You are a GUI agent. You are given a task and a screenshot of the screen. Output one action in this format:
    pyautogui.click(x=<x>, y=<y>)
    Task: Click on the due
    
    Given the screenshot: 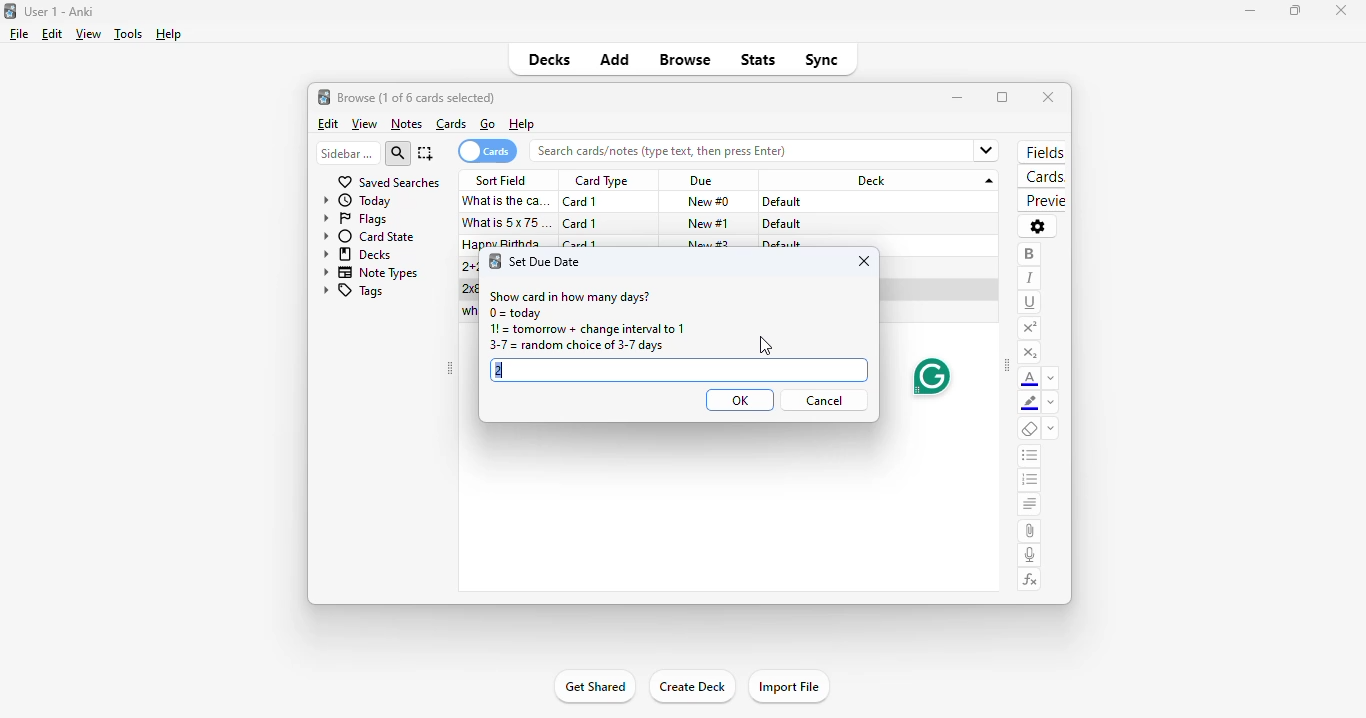 What is the action you would take?
    pyautogui.click(x=701, y=182)
    